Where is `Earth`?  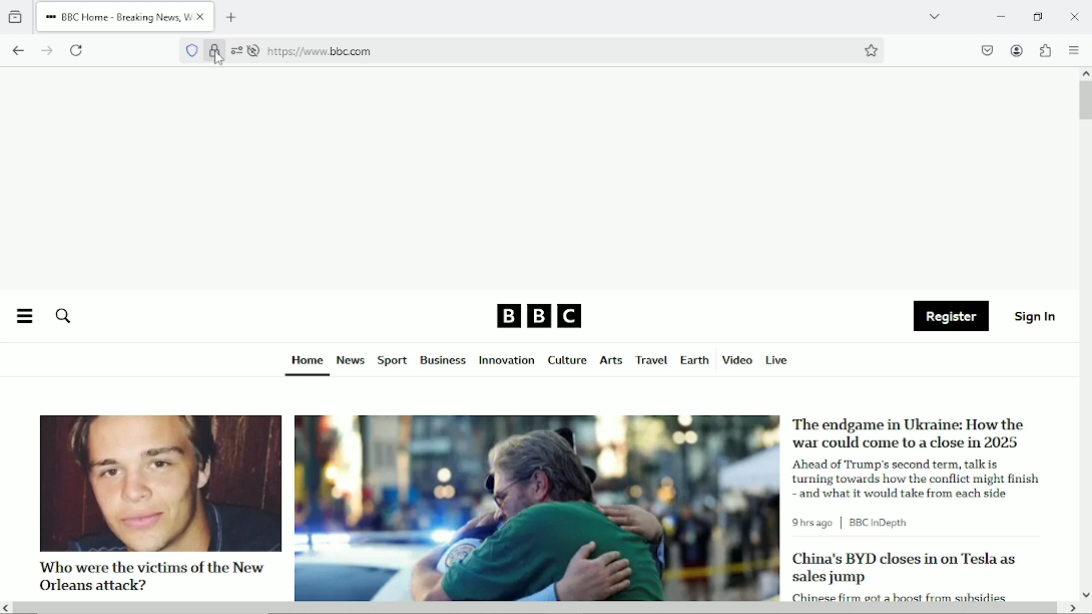
Earth is located at coordinates (693, 360).